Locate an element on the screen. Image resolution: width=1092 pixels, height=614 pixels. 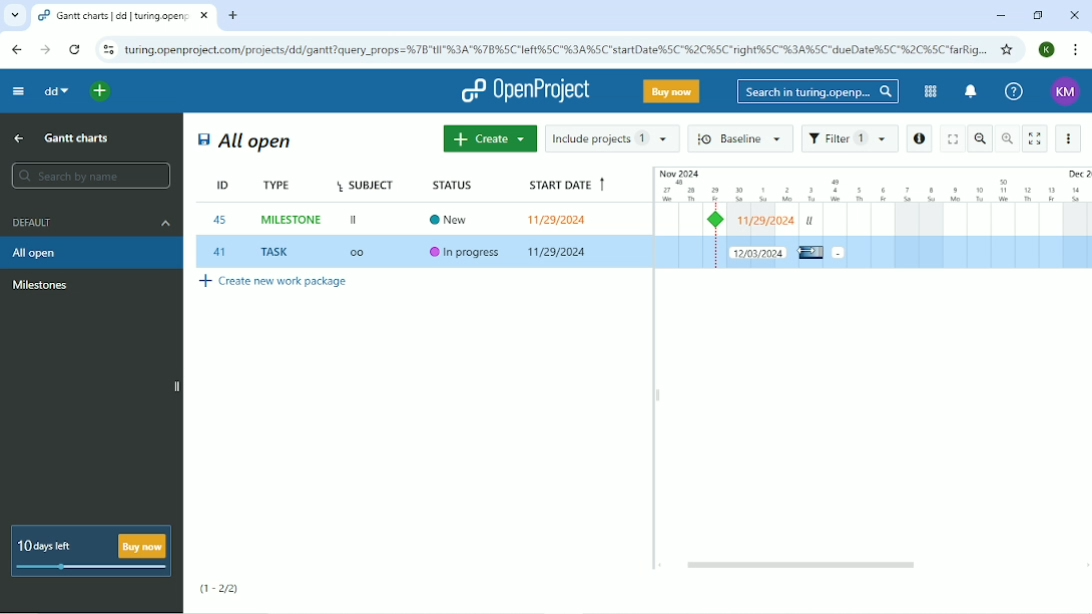
Status is located at coordinates (457, 184).